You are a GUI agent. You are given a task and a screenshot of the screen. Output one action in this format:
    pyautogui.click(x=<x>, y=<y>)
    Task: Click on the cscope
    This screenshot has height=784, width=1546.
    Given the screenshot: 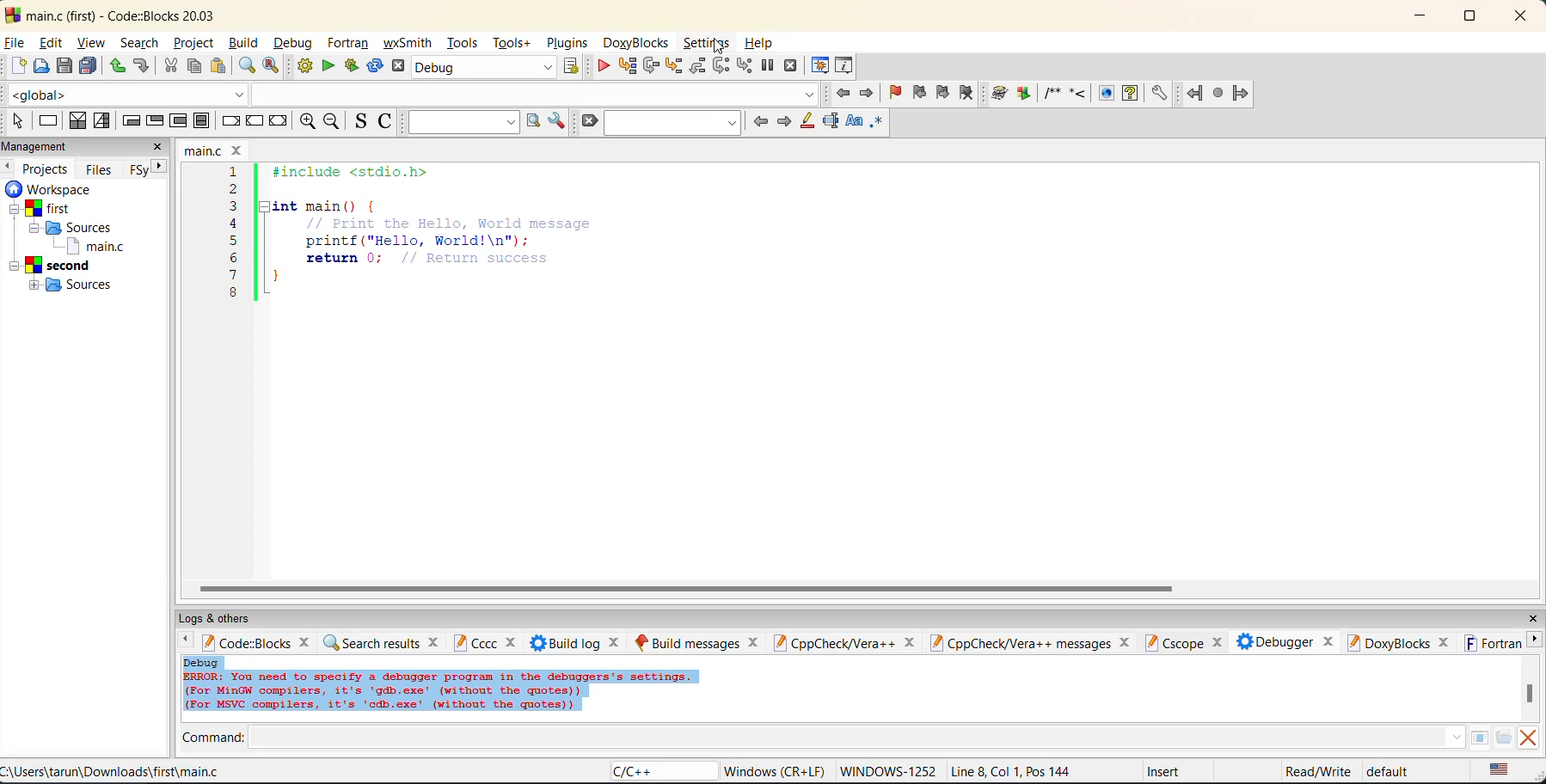 What is the action you would take?
    pyautogui.click(x=1184, y=643)
    